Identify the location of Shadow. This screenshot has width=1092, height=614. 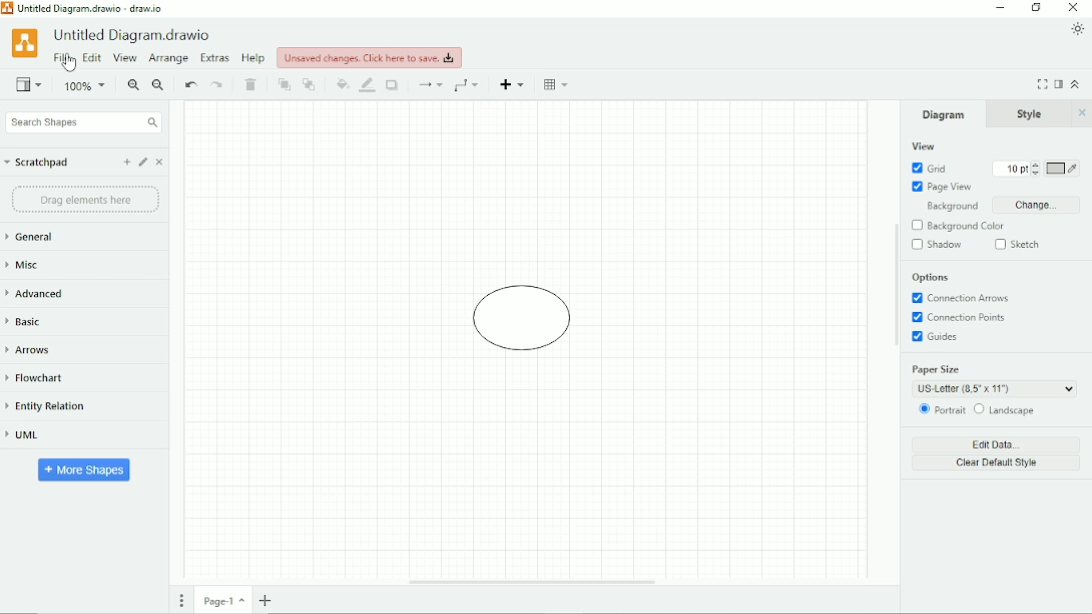
(938, 245).